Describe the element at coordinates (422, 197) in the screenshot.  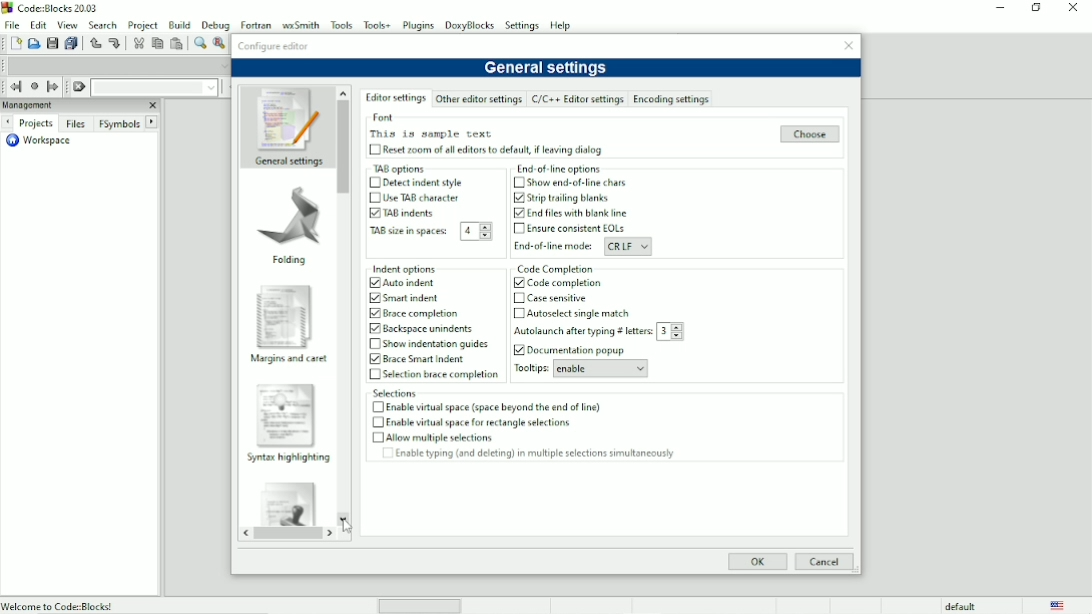
I see `Use TAB character` at that location.